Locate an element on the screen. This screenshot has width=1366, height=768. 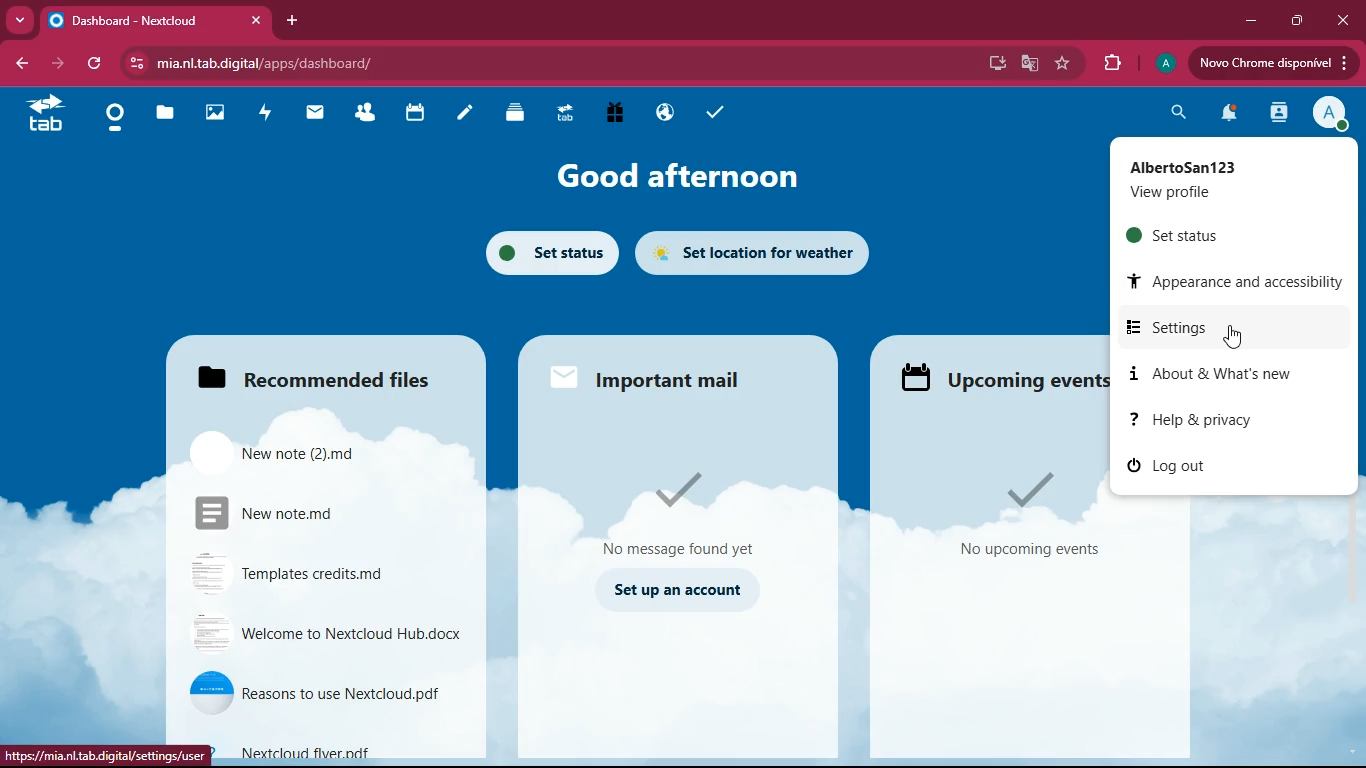
minimize is located at coordinates (1249, 20).